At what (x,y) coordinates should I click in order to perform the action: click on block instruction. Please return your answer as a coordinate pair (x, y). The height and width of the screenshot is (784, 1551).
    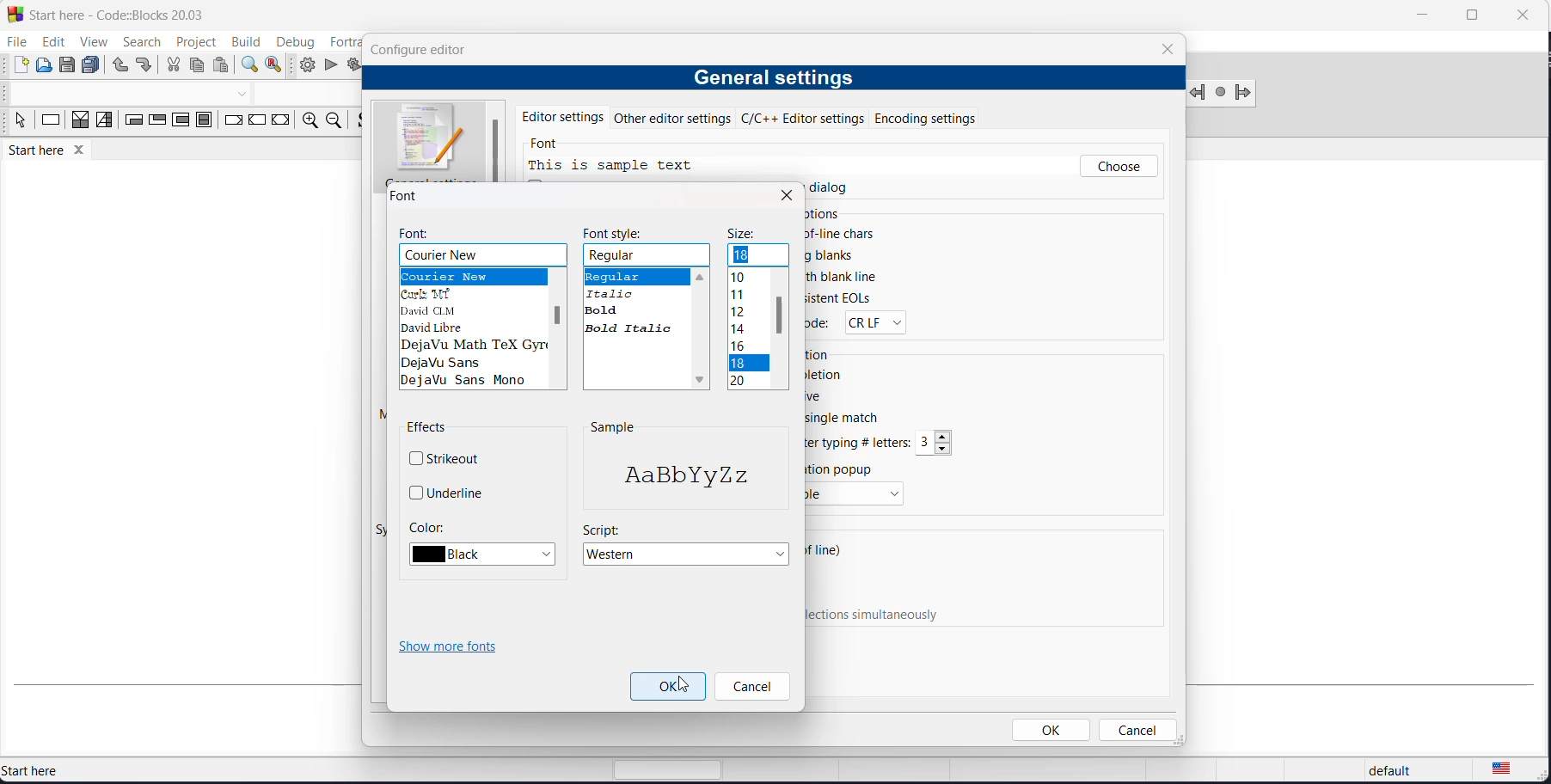
    Looking at the image, I should click on (203, 121).